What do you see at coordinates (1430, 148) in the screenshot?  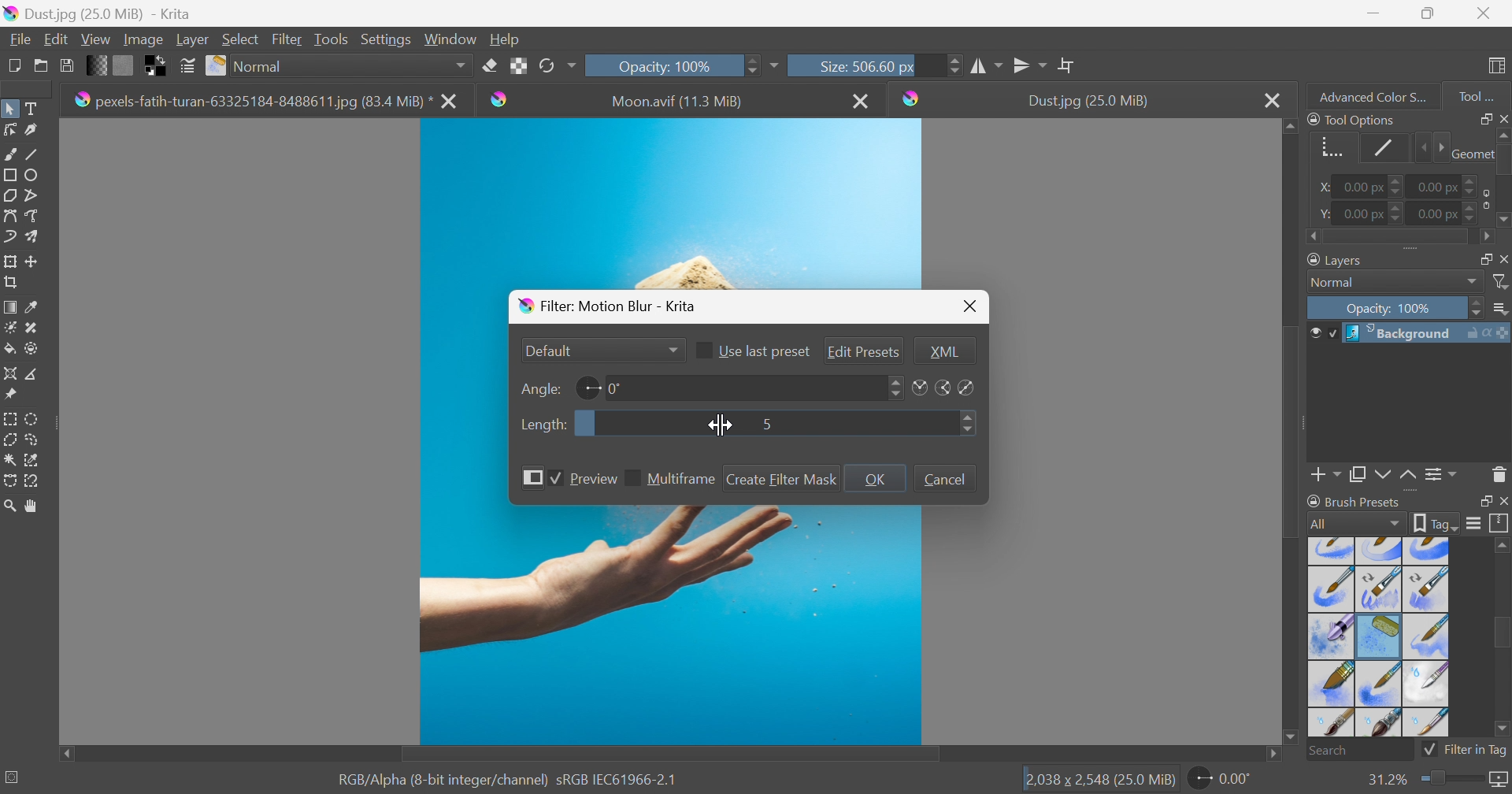 I see `Slider` at bounding box center [1430, 148].